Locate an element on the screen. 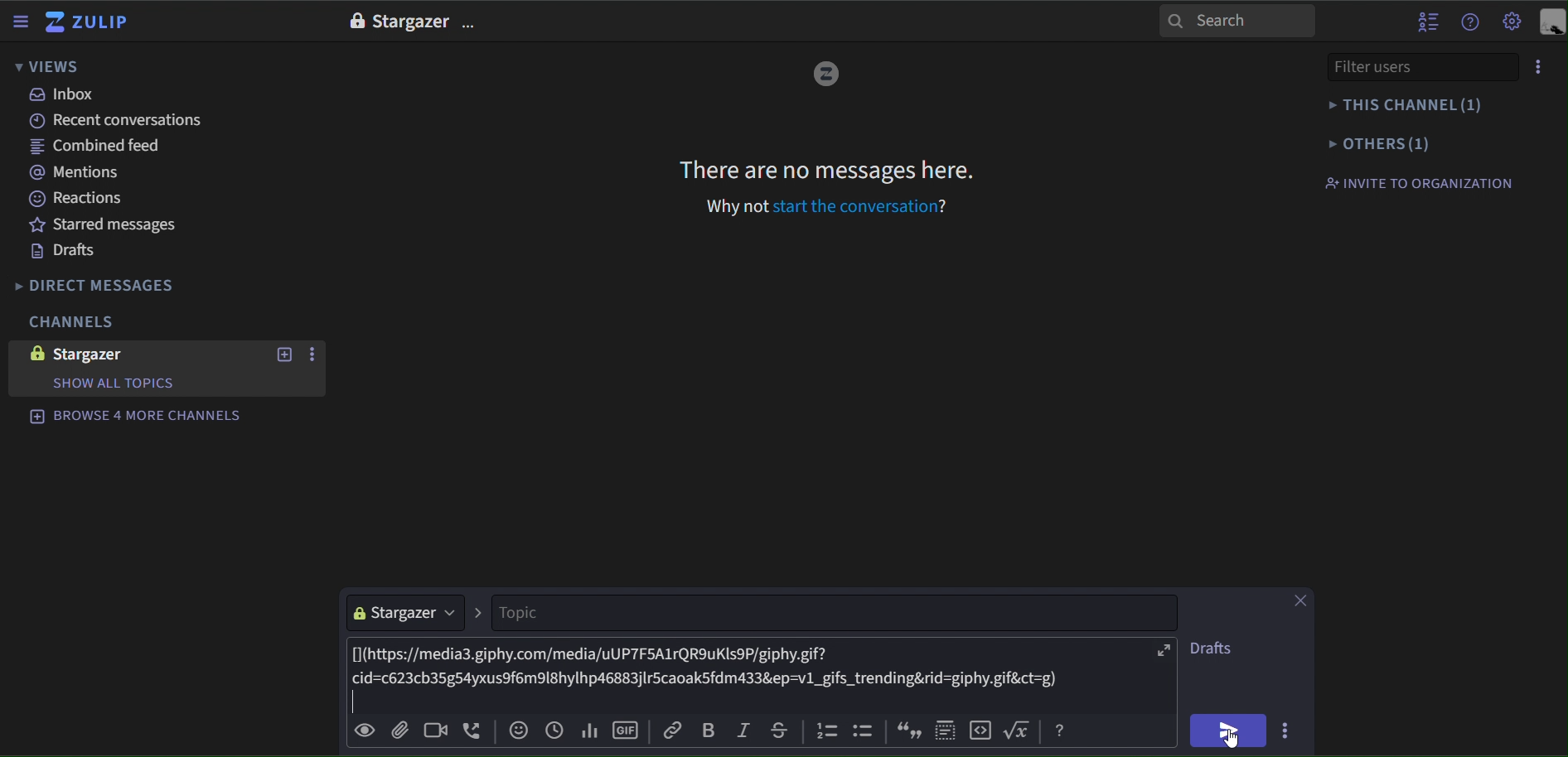  new topic is located at coordinates (283, 354).